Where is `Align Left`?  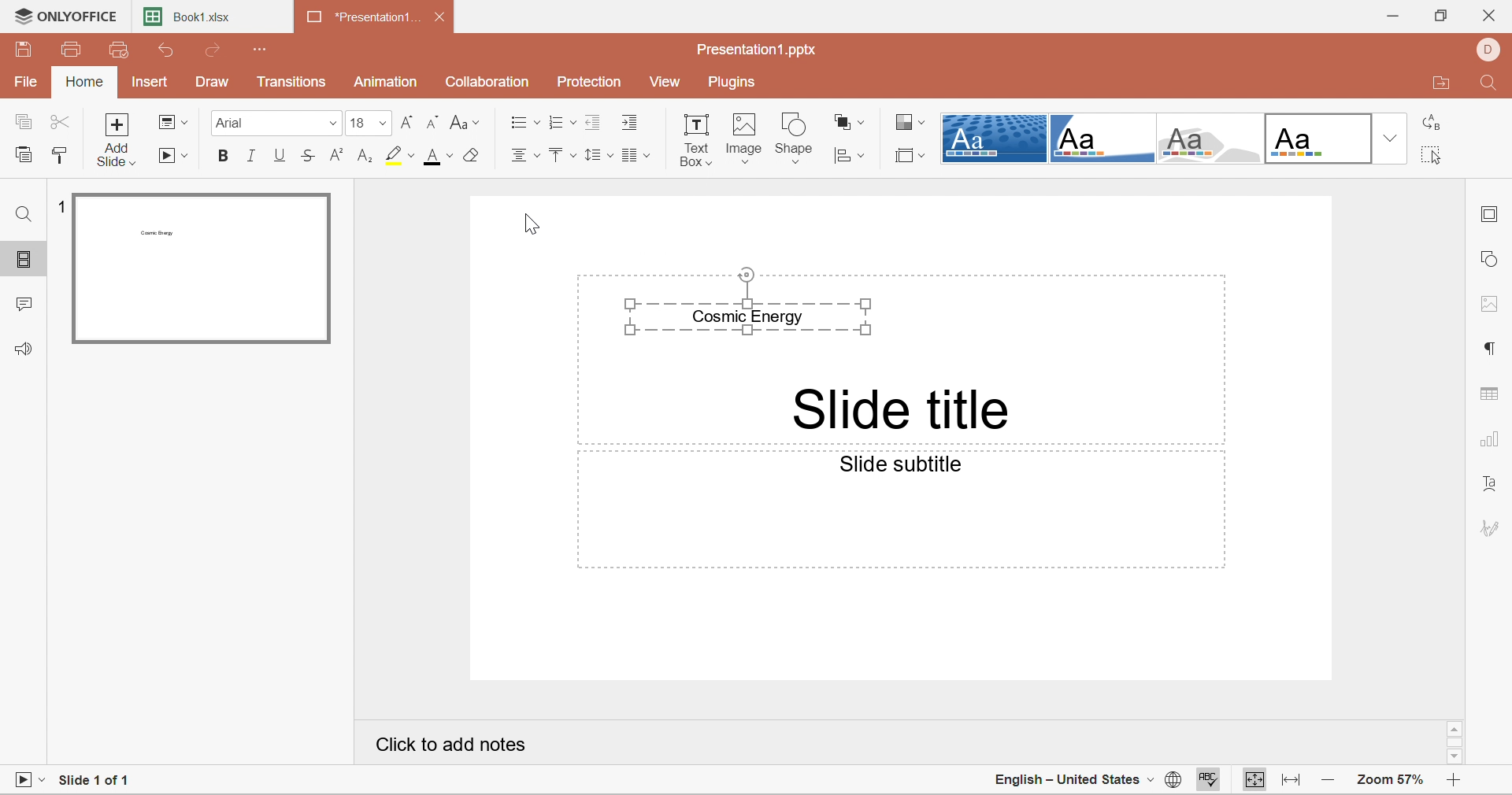
Align Left is located at coordinates (524, 155).